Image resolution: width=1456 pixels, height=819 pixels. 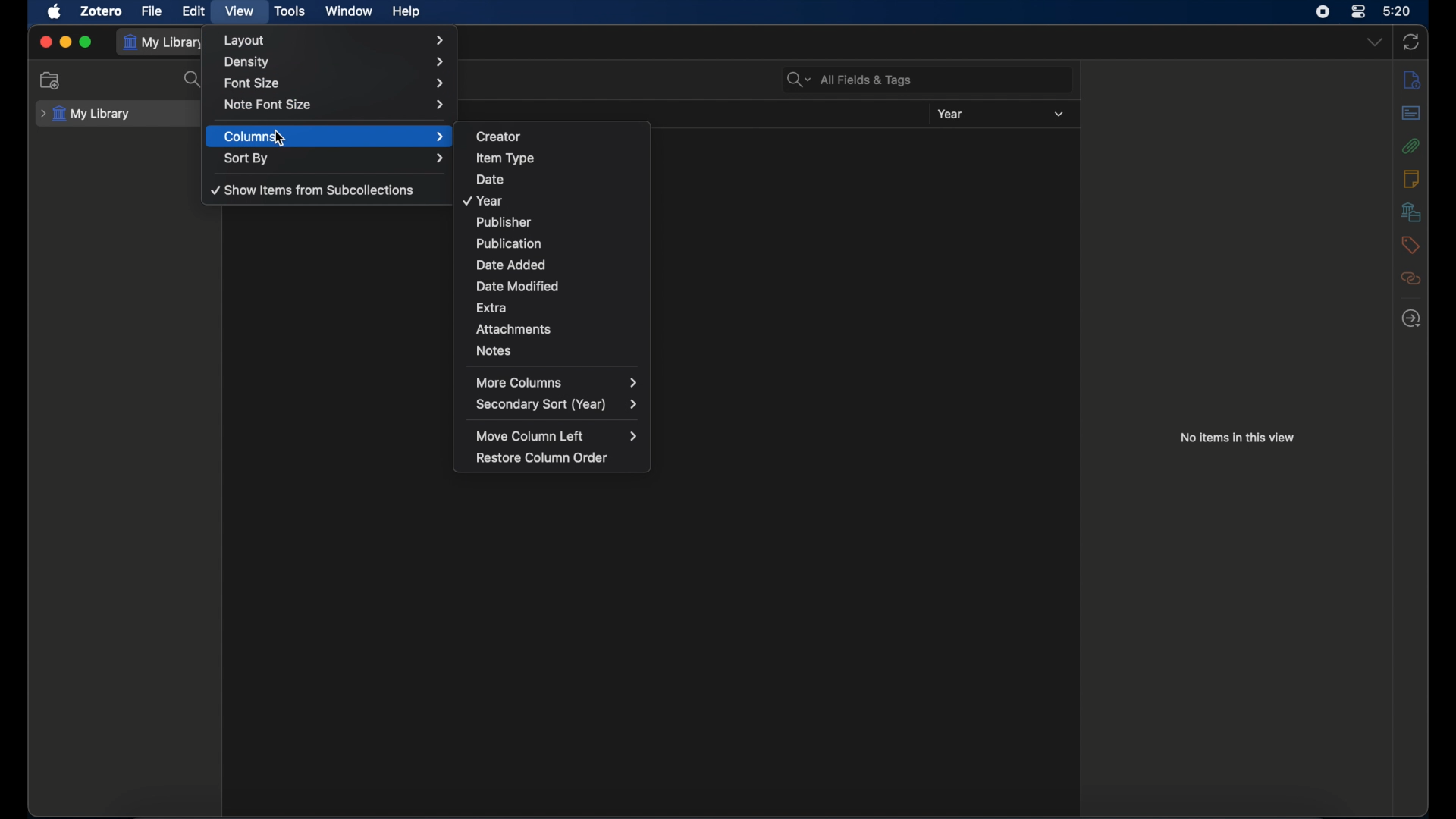 I want to click on note font size, so click(x=335, y=104).